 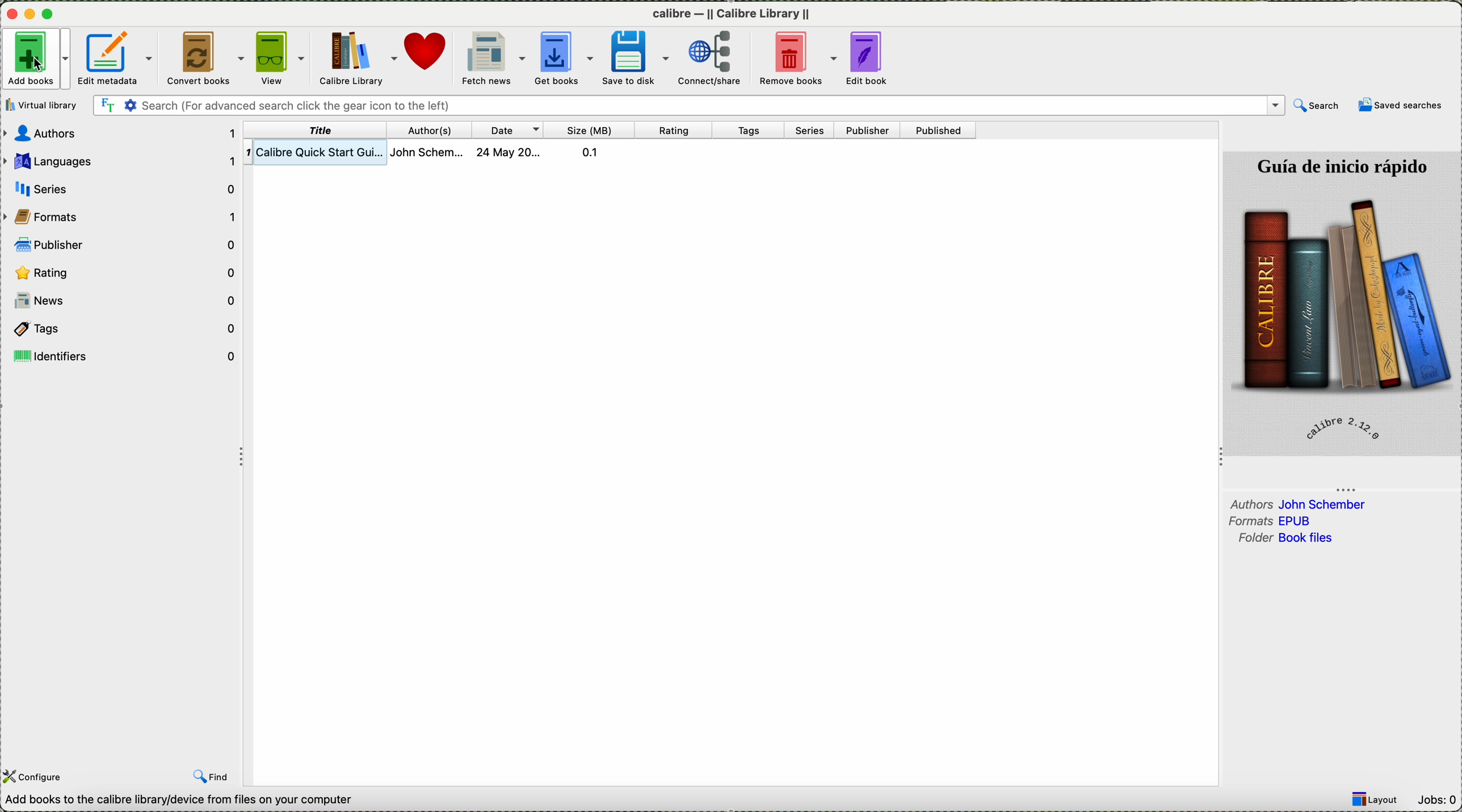 I want to click on search bar, so click(x=688, y=104).